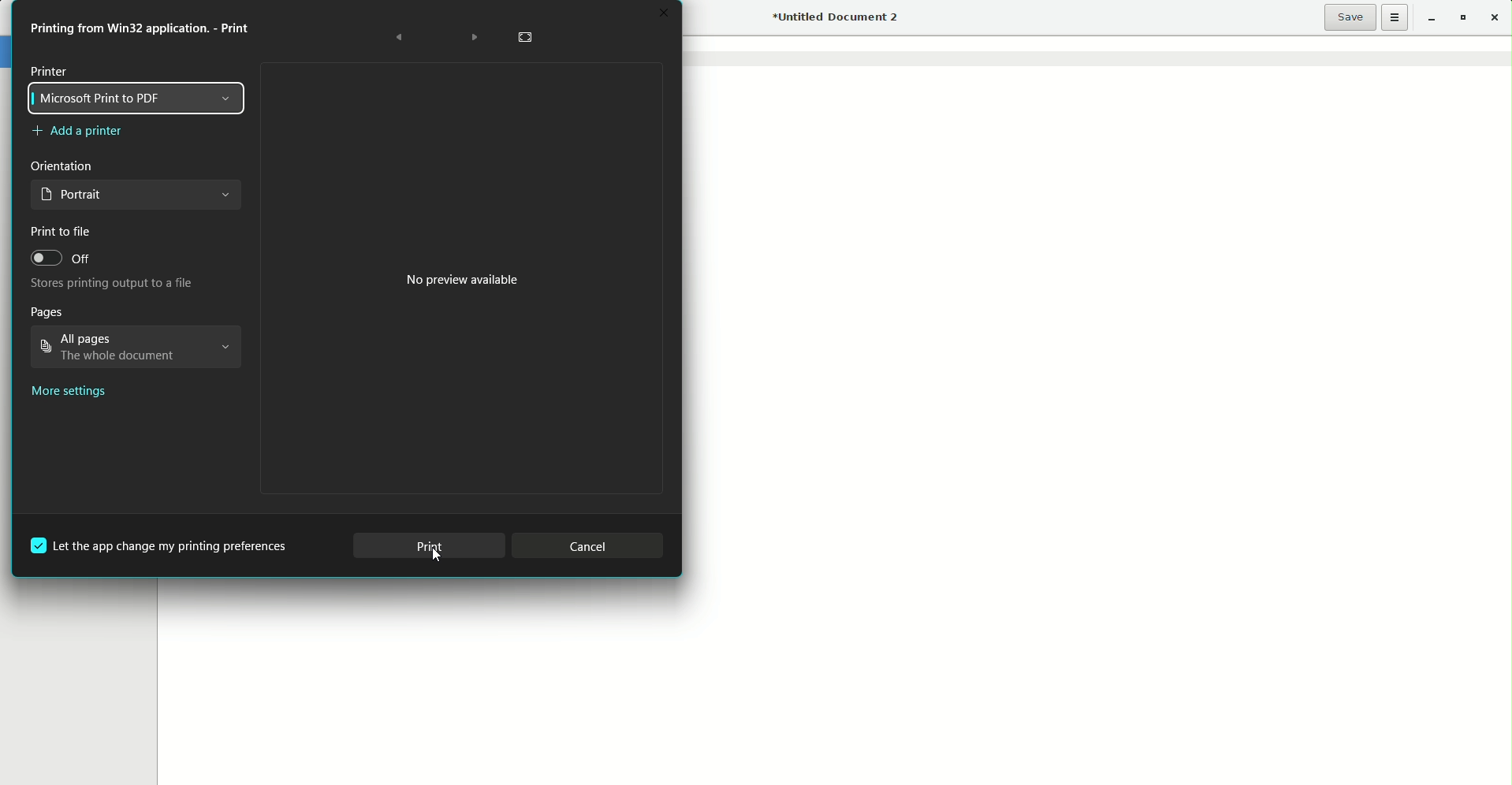  Describe the element at coordinates (61, 166) in the screenshot. I see `Orientation` at that location.